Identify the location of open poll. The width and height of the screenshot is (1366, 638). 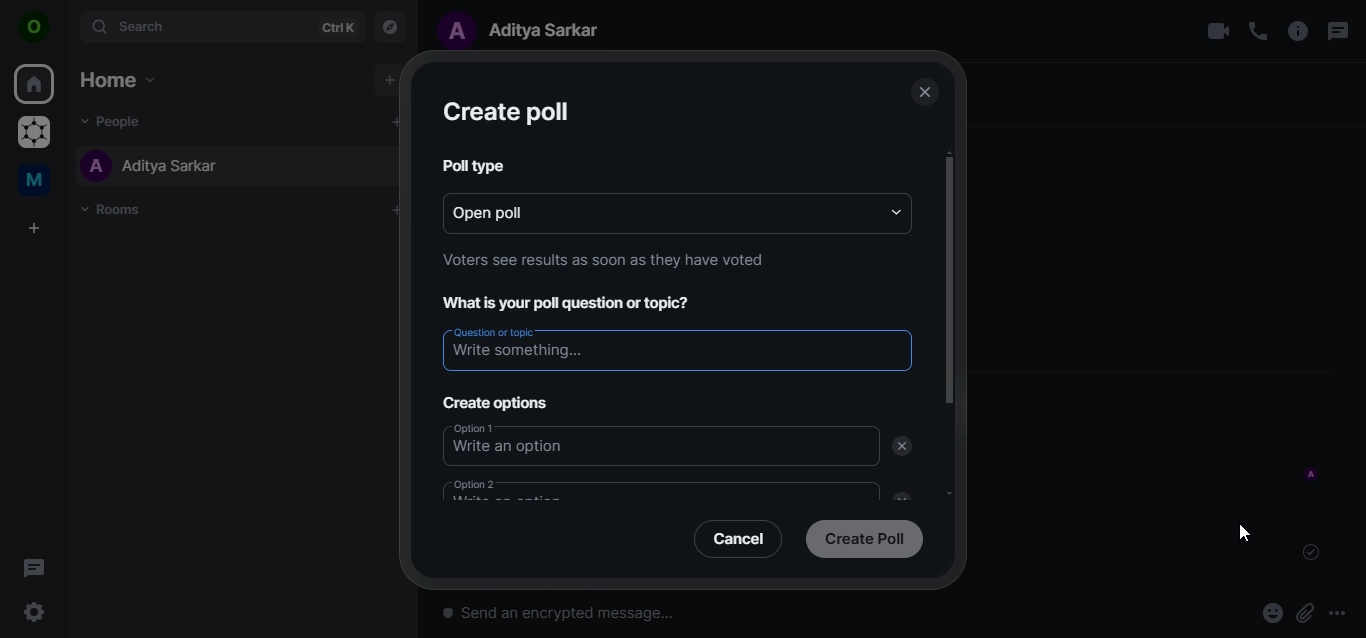
(513, 211).